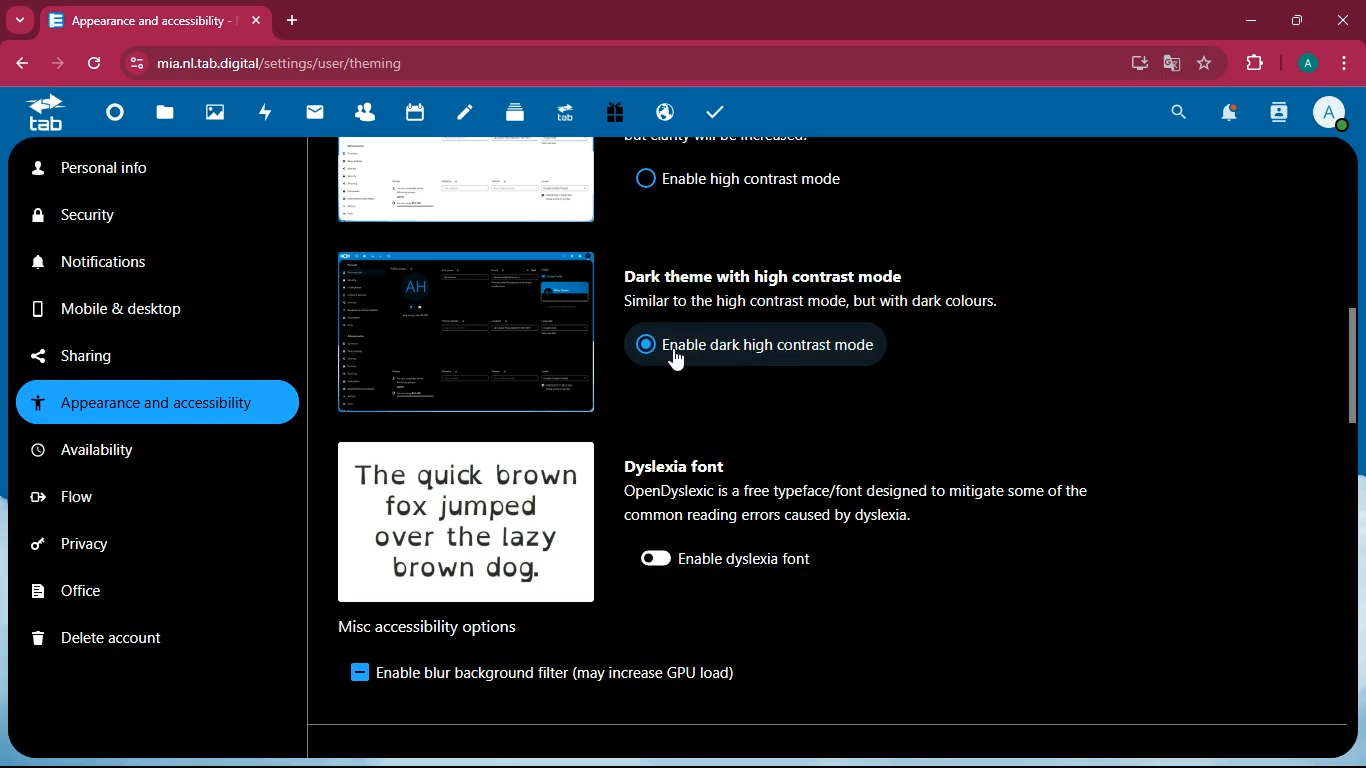 This screenshot has height=768, width=1366. What do you see at coordinates (463, 62) in the screenshot?
I see `url` at bounding box center [463, 62].